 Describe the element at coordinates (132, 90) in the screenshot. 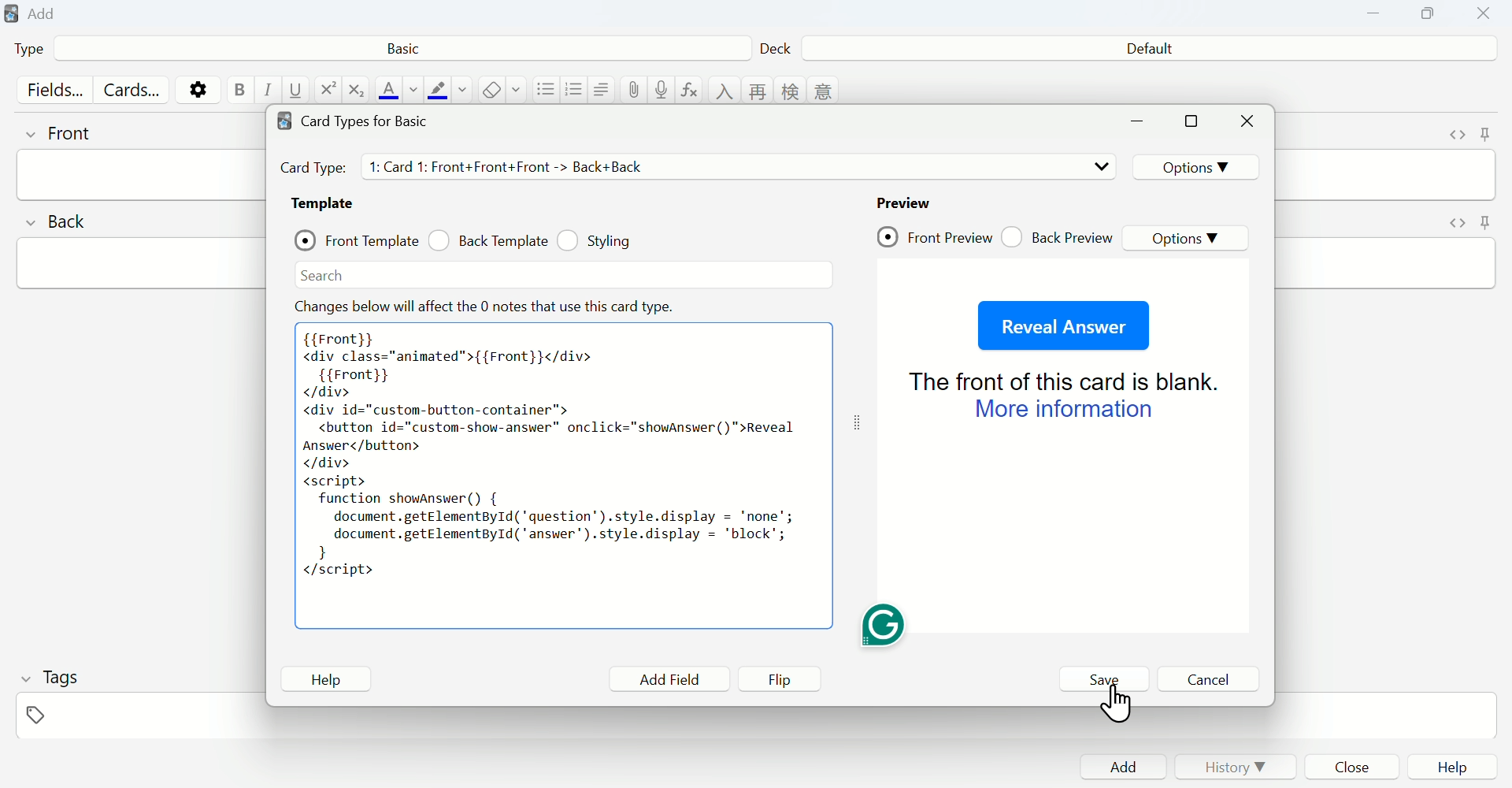

I see `Cards` at that location.